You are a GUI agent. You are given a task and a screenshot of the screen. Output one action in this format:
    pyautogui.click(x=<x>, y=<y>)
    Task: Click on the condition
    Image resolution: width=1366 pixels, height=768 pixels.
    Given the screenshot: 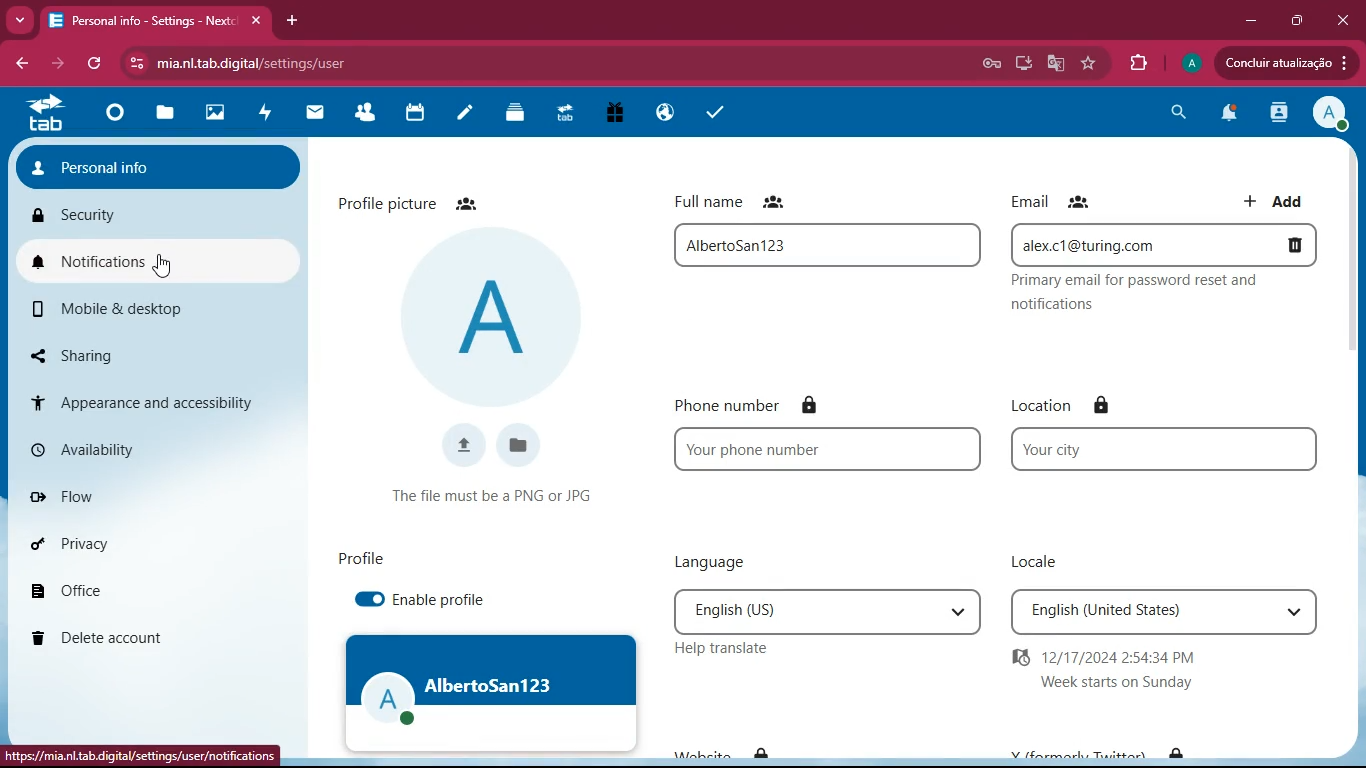 What is the action you would take?
    pyautogui.click(x=496, y=493)
    